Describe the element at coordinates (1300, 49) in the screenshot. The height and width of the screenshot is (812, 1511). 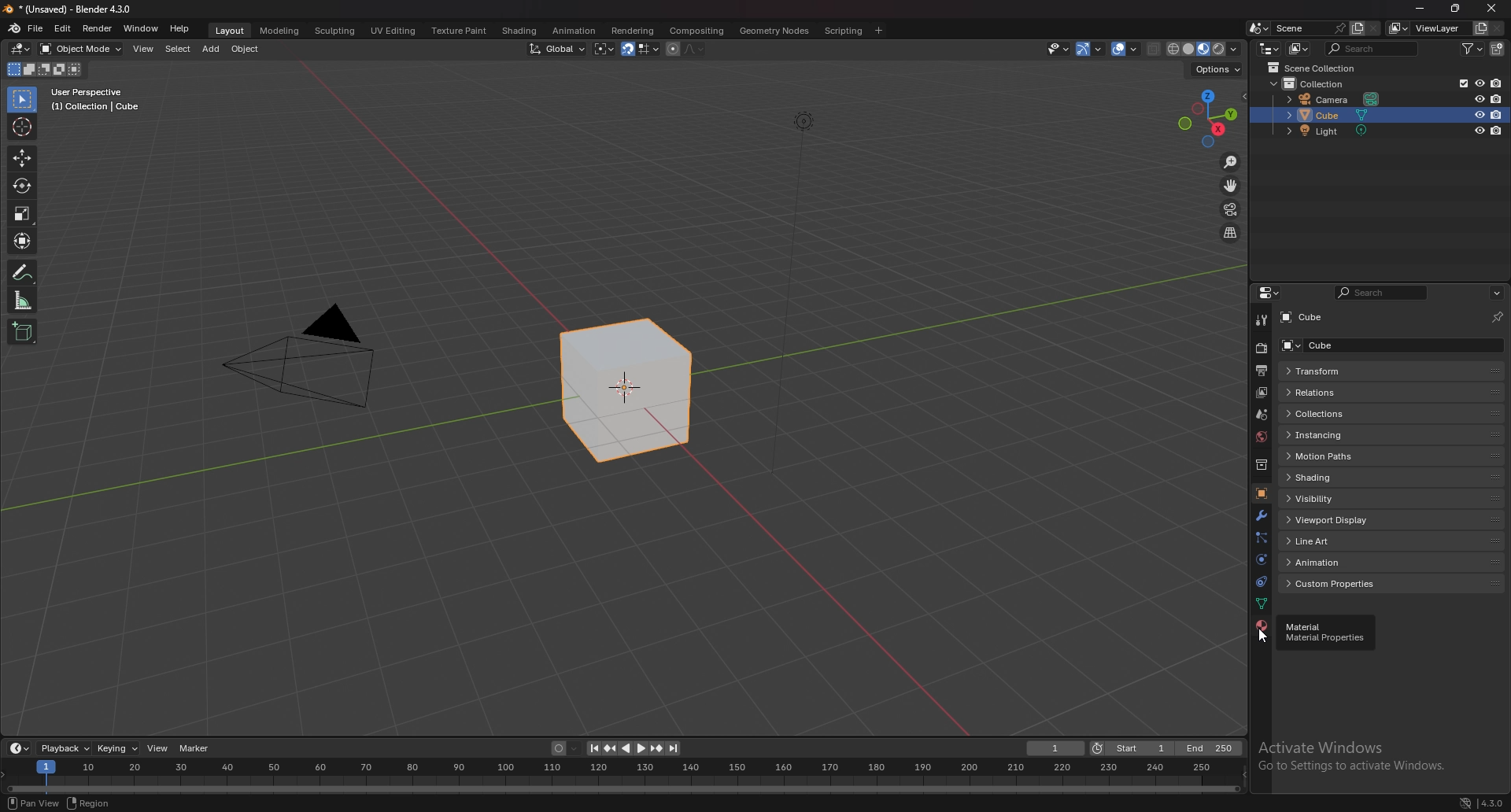
I see `display mode` at that location.